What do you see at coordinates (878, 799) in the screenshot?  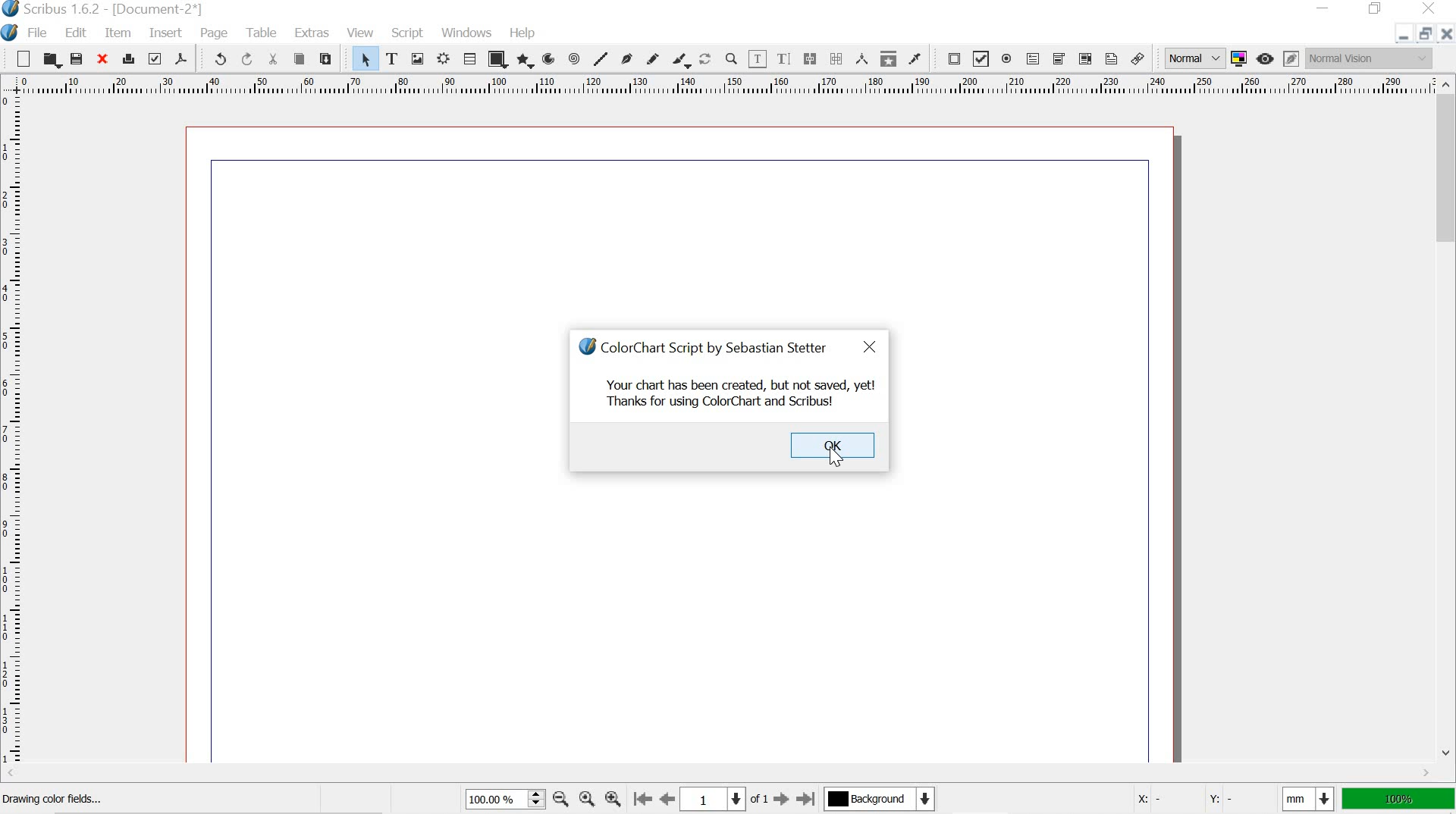 I see `Background color` at bounding box center [878, 799].